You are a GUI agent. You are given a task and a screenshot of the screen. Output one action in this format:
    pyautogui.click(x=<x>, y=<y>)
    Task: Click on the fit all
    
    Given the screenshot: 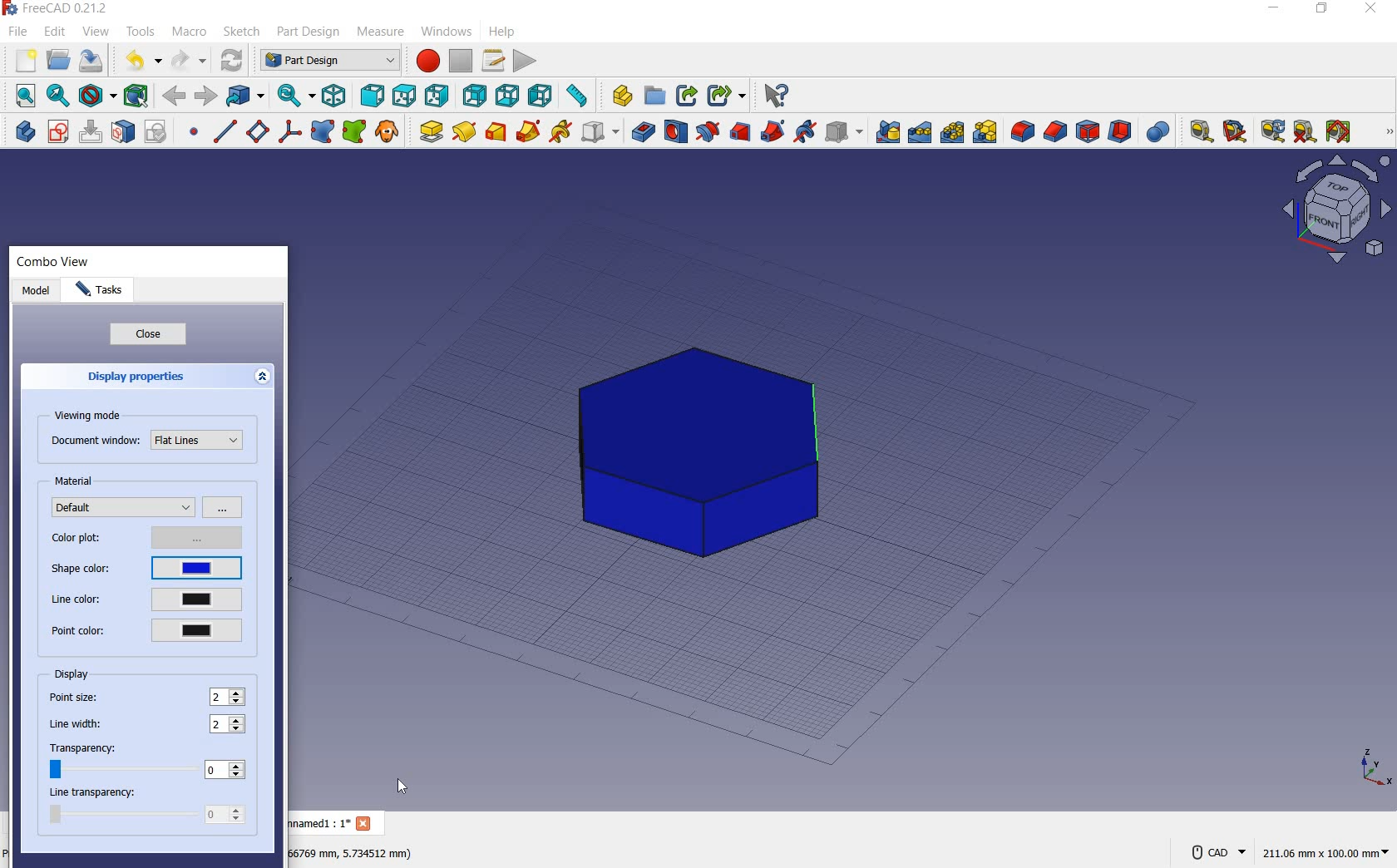 What is the action you would take?
    pyautogui.click(x=22, y=95)
    